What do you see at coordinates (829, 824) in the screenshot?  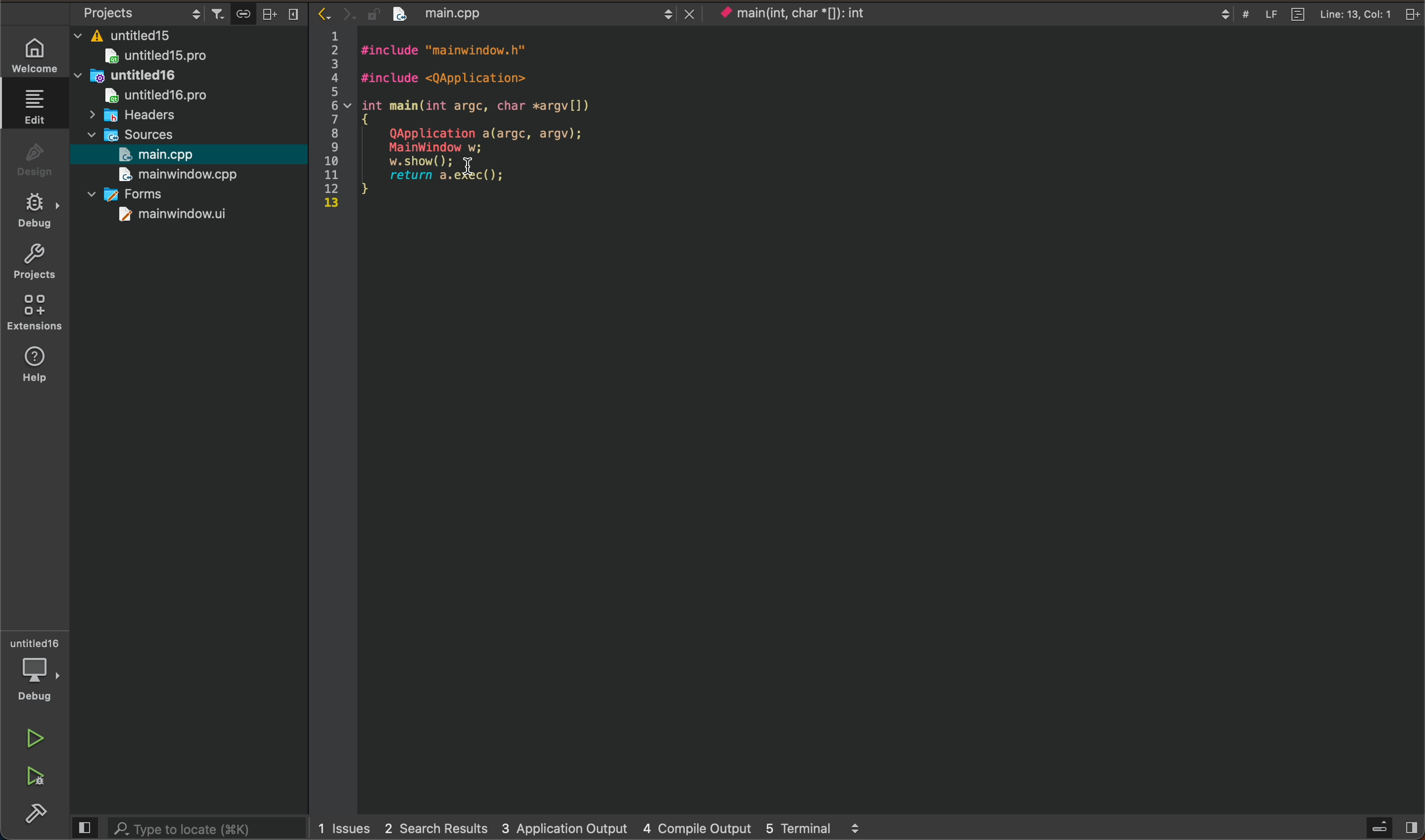 I see `5 terminal` at bounding box center [829, 824].